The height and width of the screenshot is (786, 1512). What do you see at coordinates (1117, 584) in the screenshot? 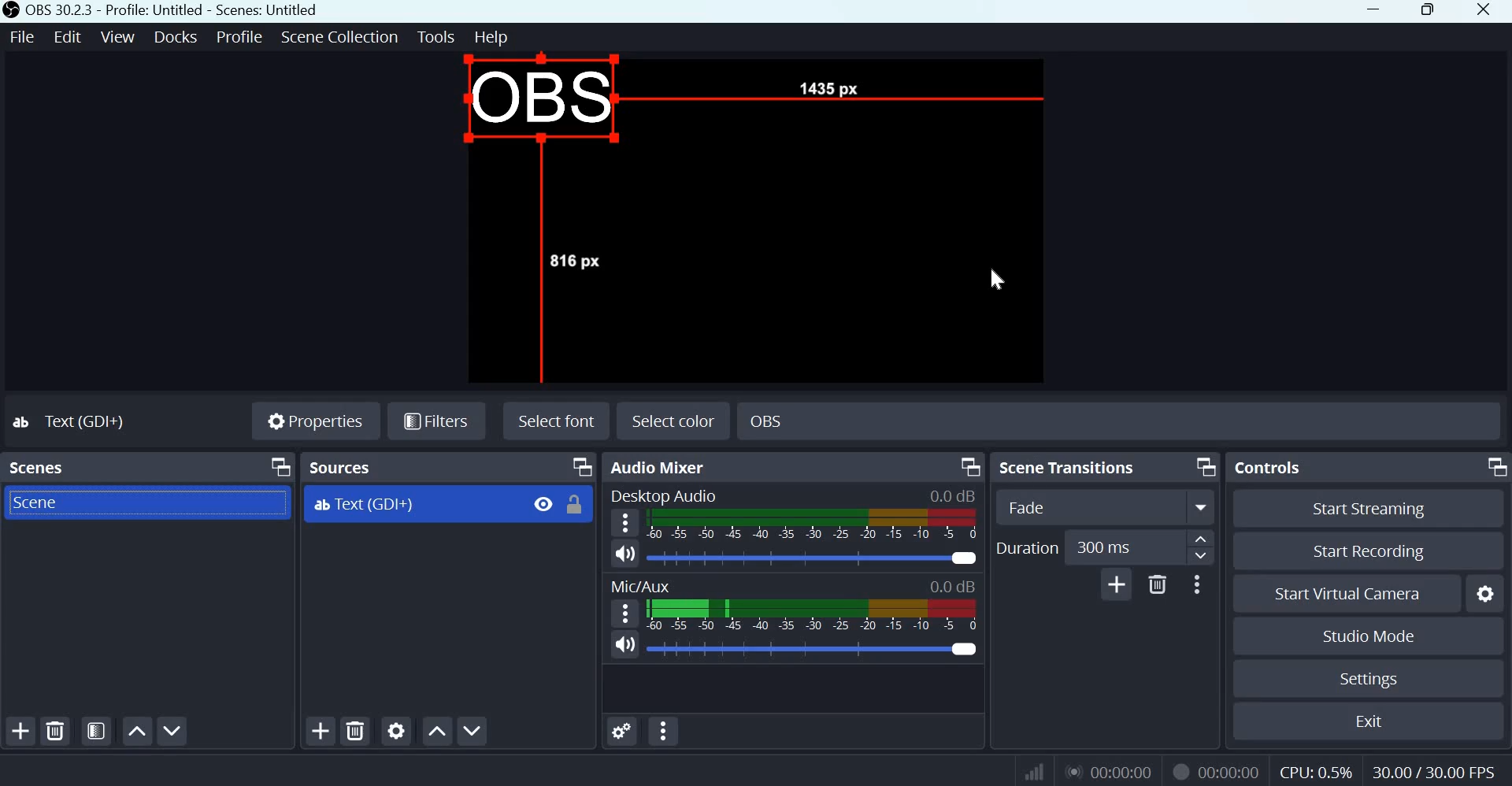
I see `Add Transition` at bounding box center [1117, 584].